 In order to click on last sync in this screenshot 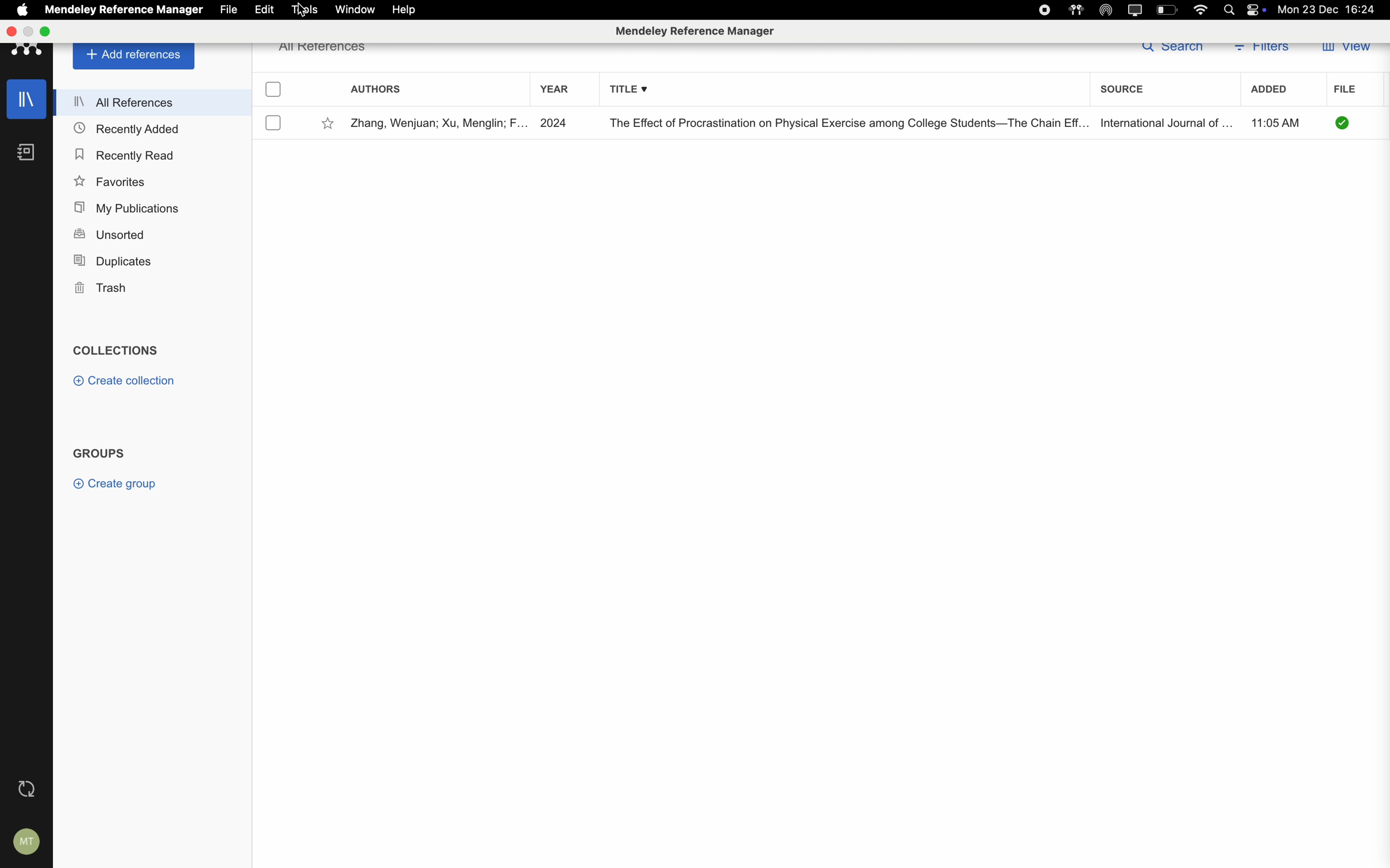, I will do `click(30, 788)`.